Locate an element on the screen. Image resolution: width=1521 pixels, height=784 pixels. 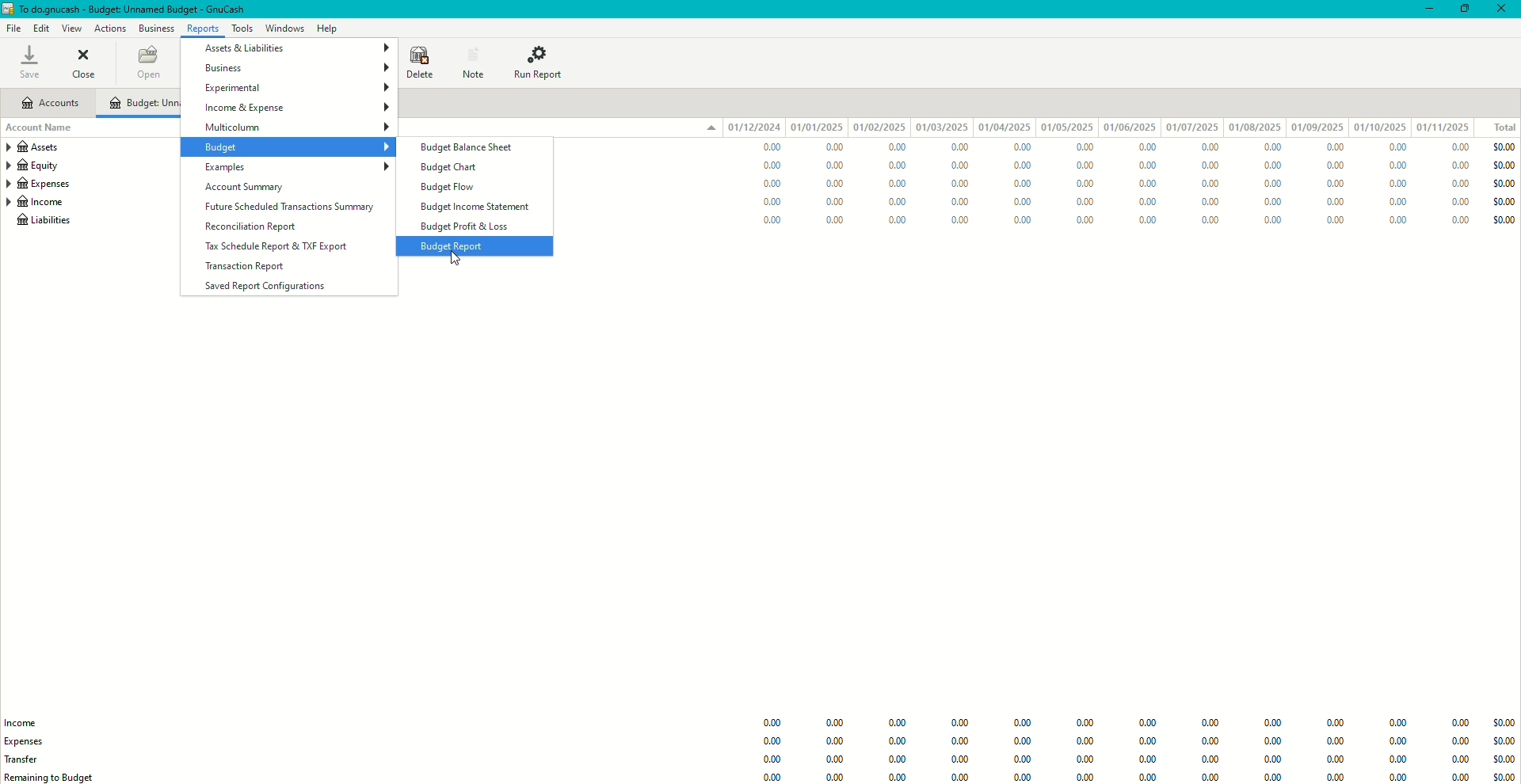
0.00 is located at coordinates (1020, 724).